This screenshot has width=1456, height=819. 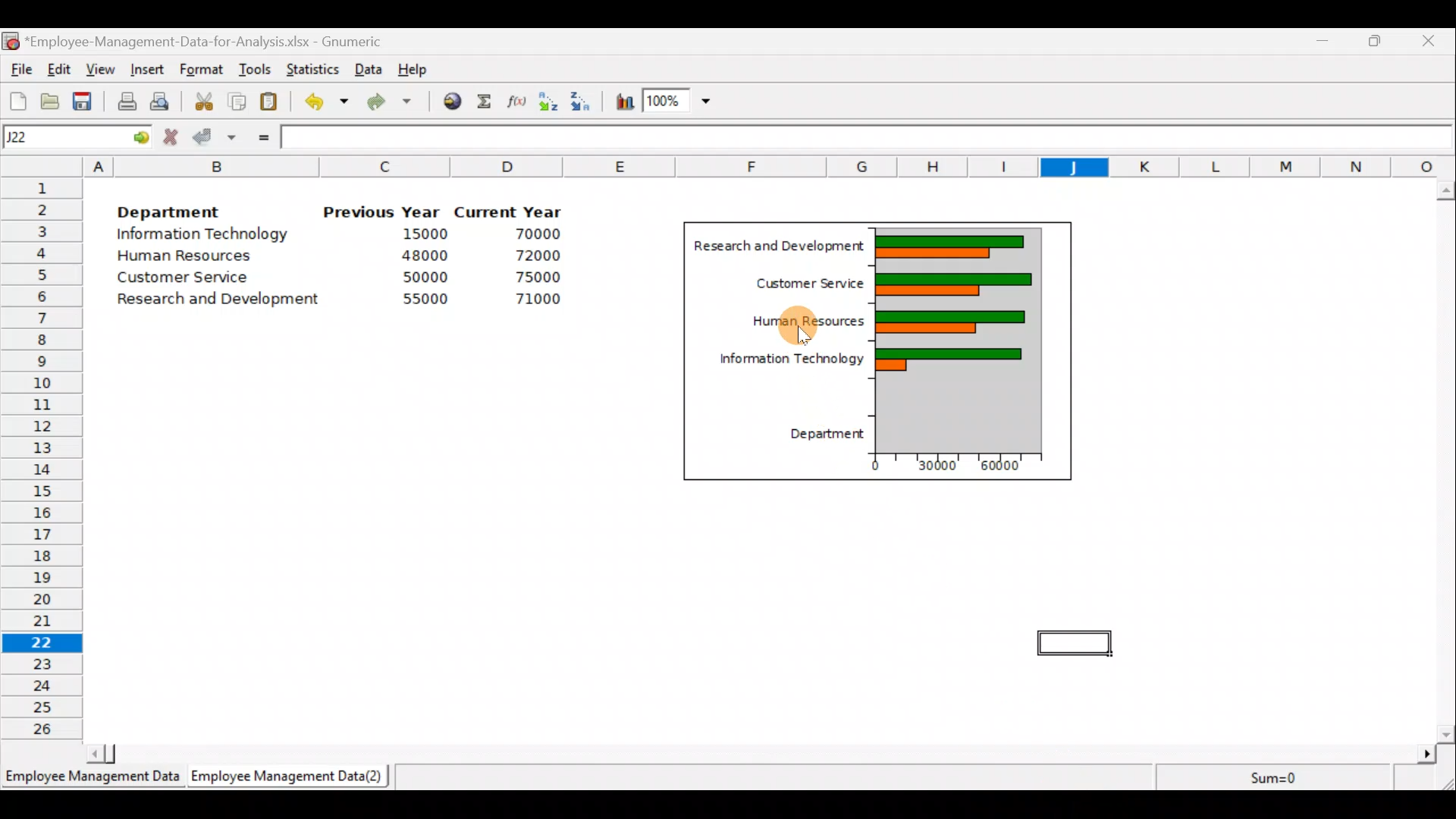 I want to click on Cell name J22, so click(x=58, y=137).